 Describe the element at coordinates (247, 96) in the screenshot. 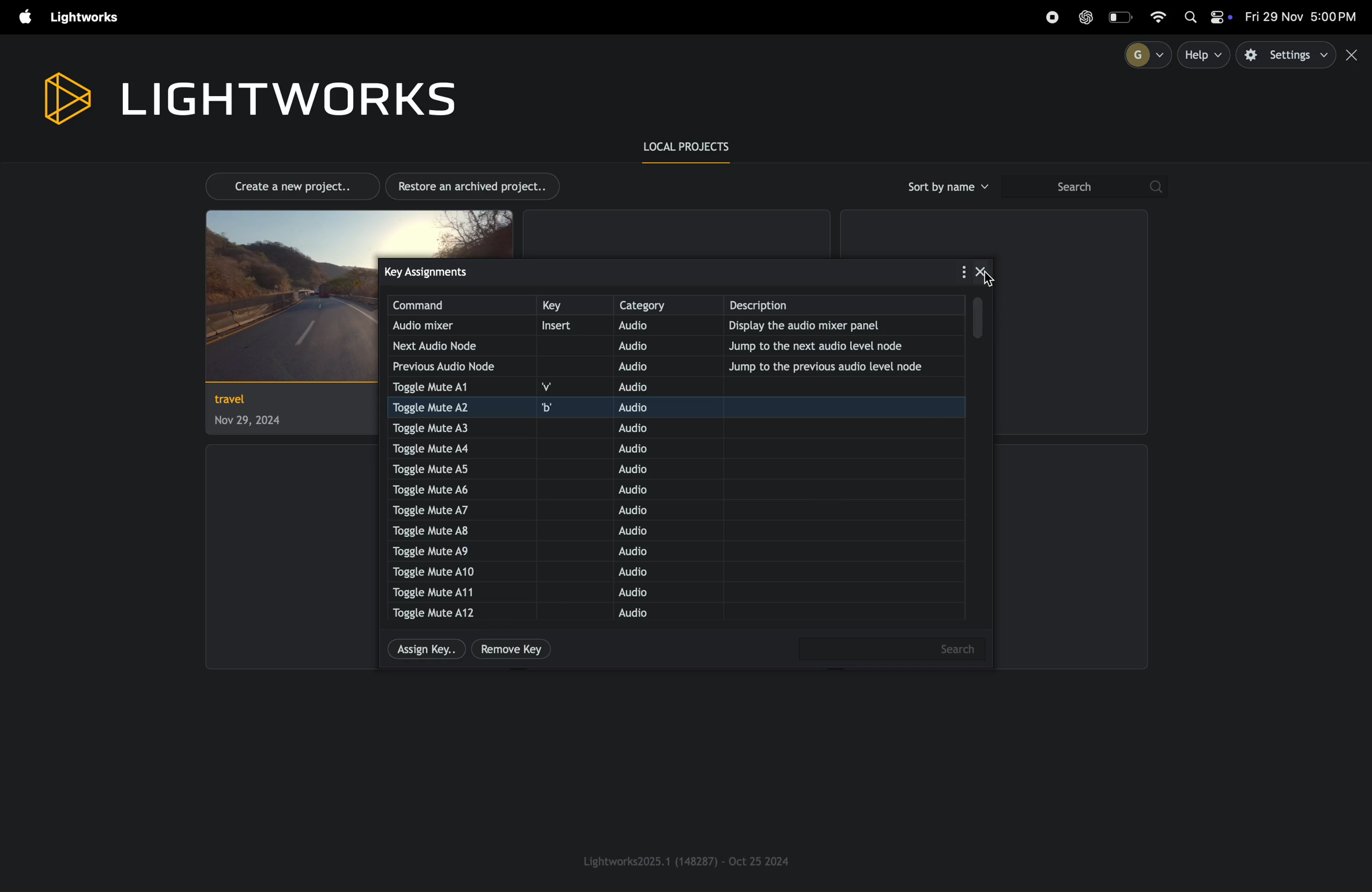

I see `light works` at that location.